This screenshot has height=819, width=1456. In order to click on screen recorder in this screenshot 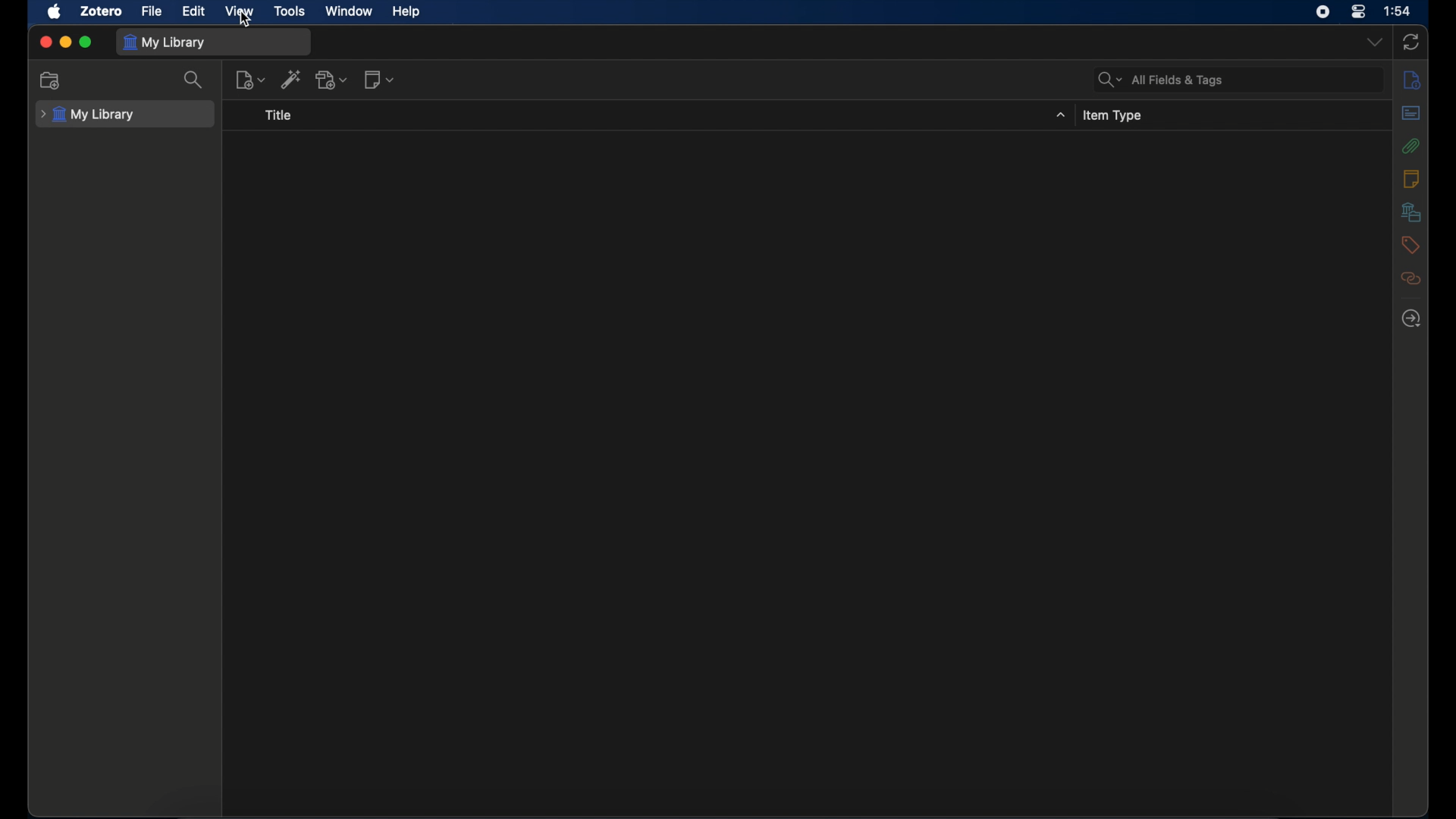, I will do `click(1323, 12)`.